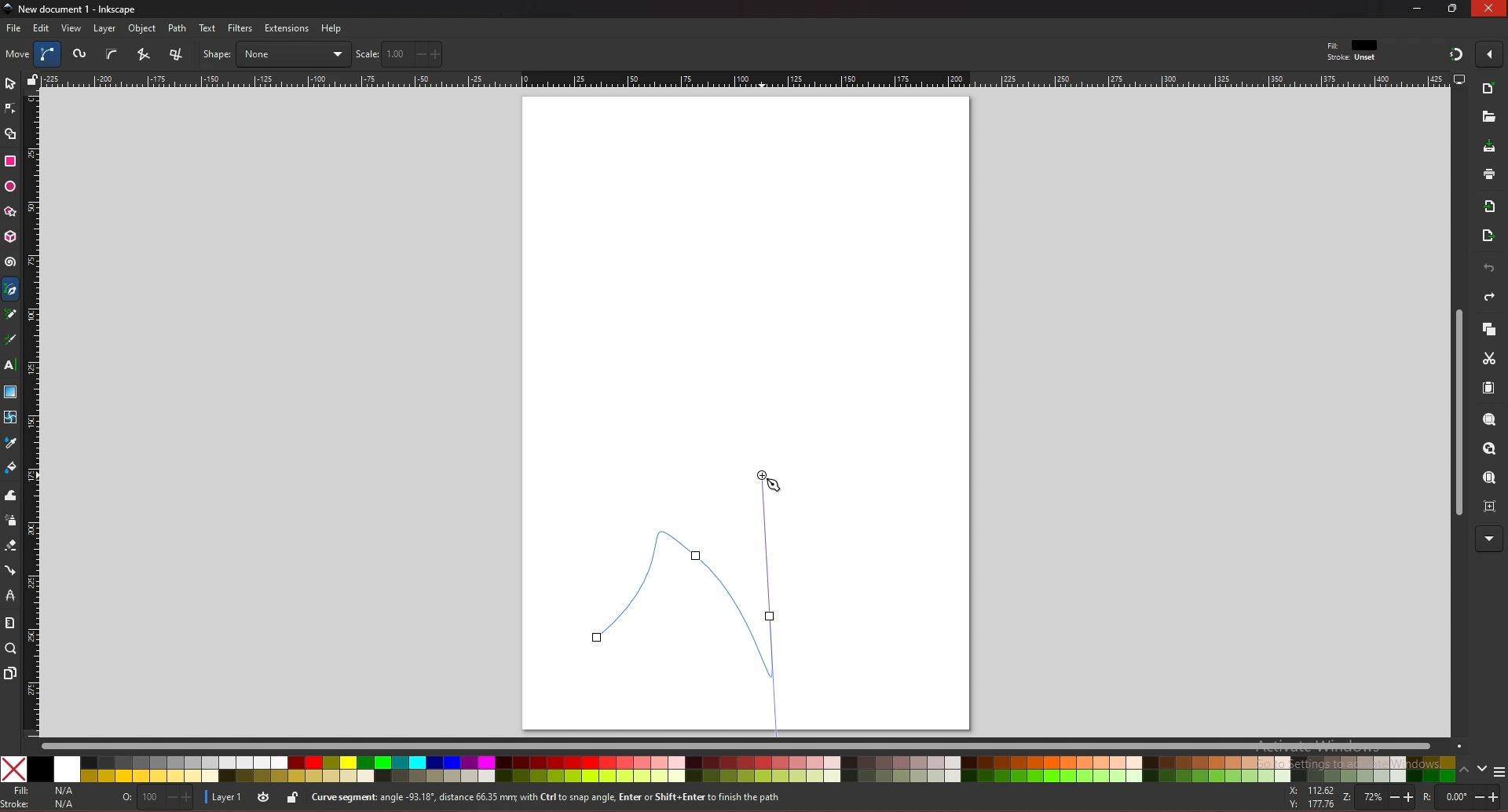 Image resolution: width=1508 pixels, height=812 pixels. I want to click on close, so click(1489, 8).